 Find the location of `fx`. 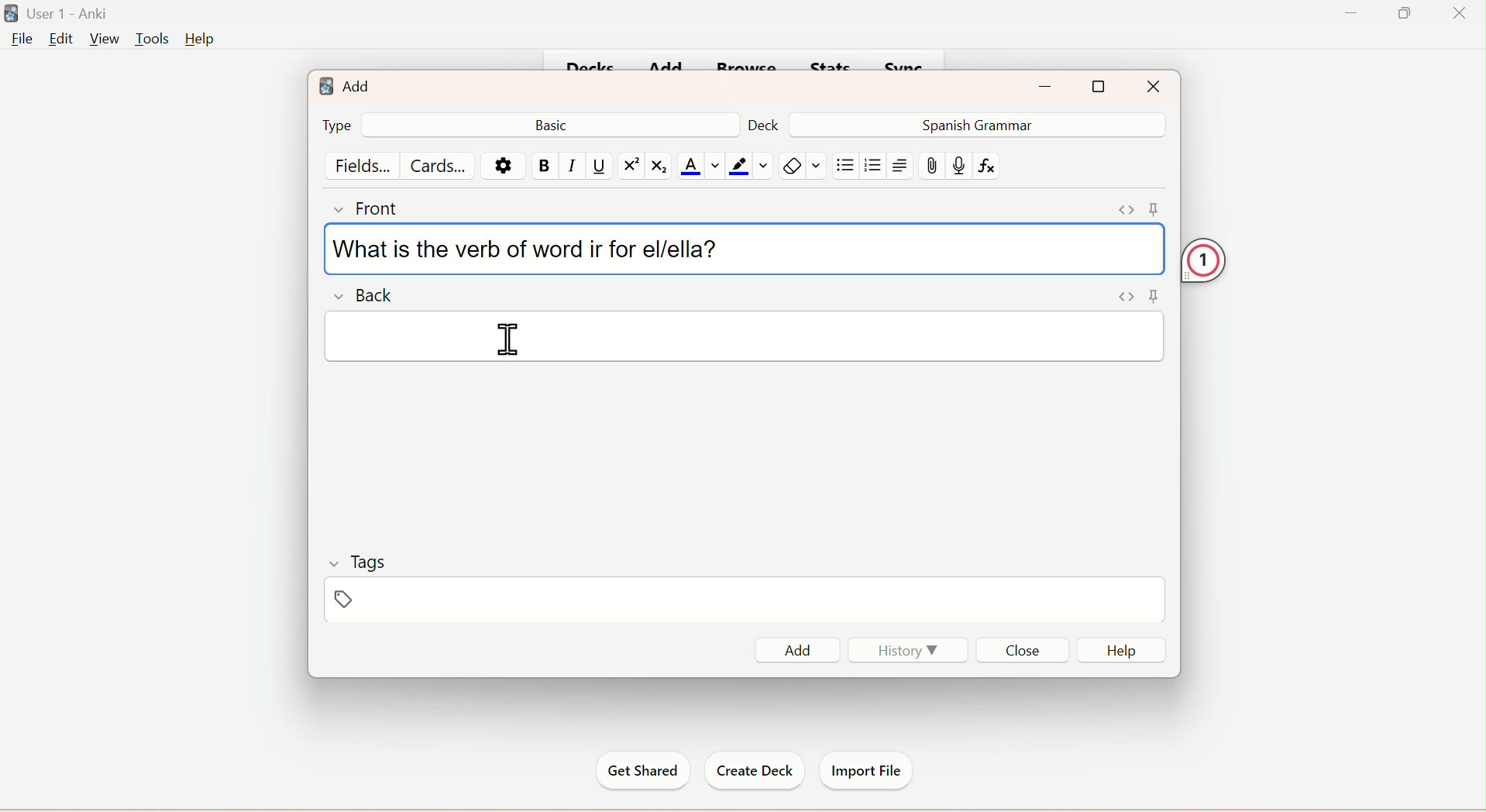

fx is located at coordinates (992, 167).